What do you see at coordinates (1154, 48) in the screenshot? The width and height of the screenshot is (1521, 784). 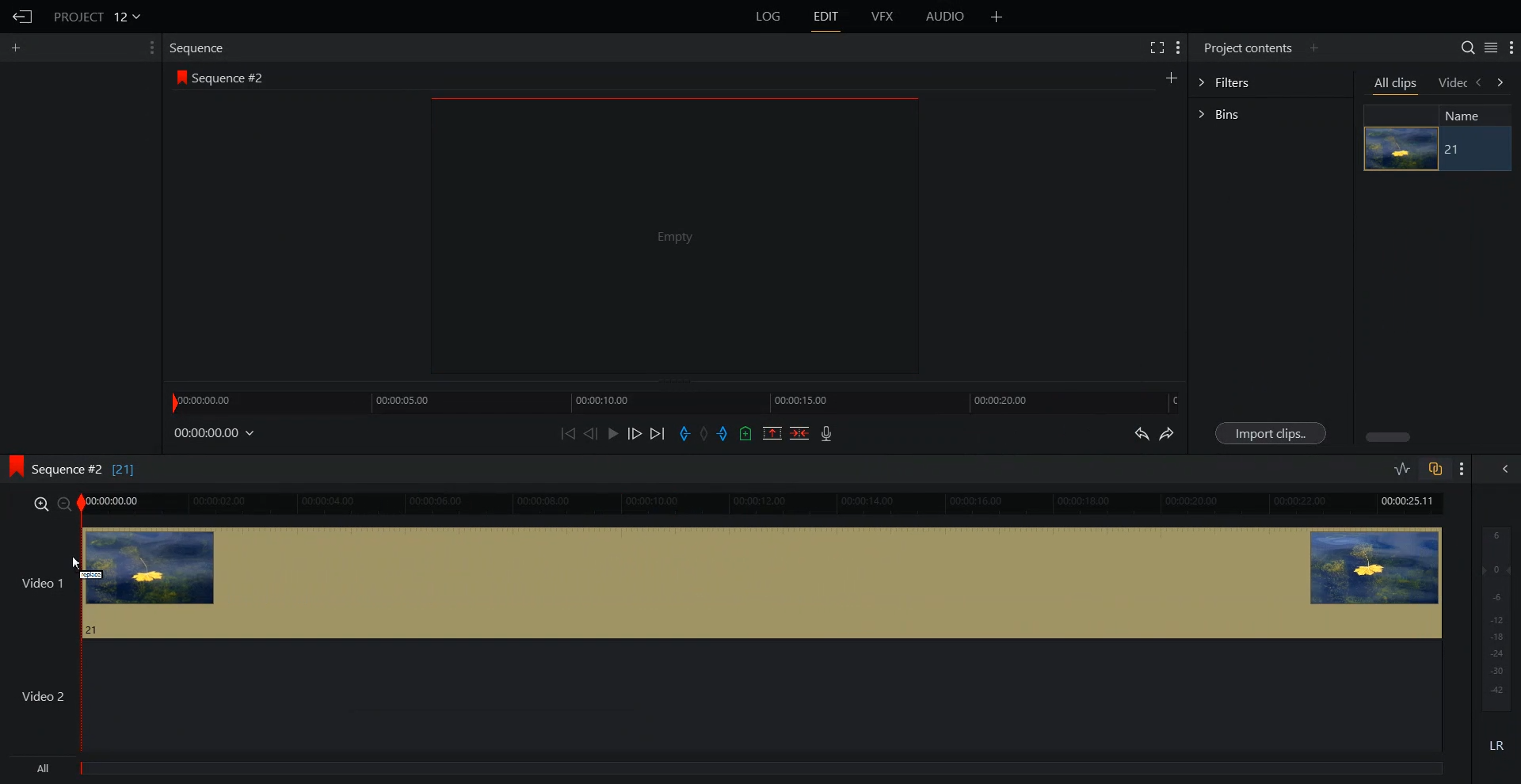 I see `Full screen` at bounding box center [1154, 48].